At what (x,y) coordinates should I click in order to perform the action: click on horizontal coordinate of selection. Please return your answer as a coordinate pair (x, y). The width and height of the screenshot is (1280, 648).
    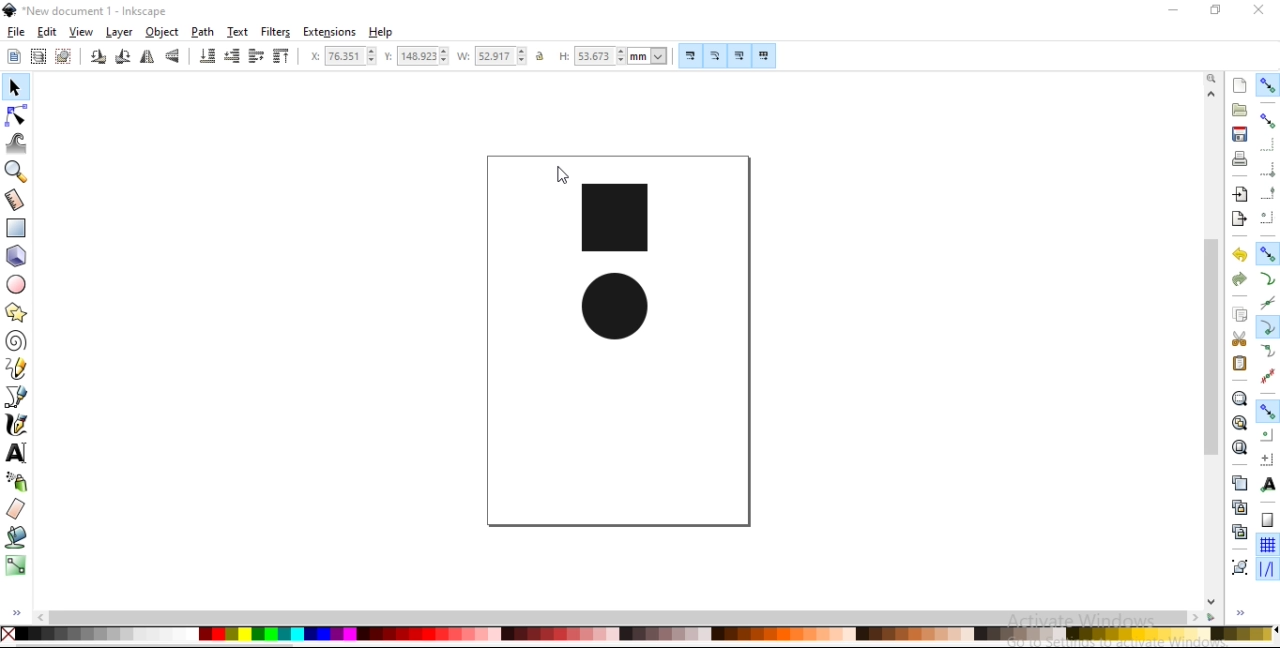
    Looking at the image, I should click on (342, 57).